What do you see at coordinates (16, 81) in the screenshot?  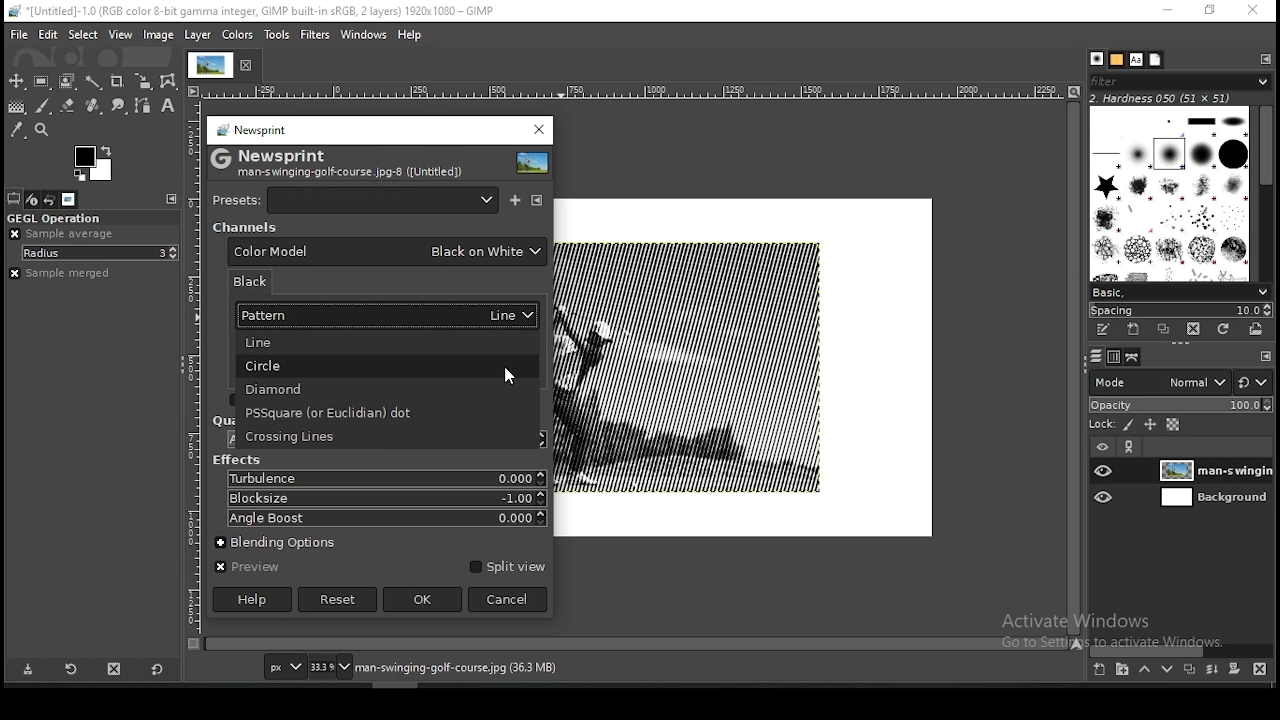 I see `move tool` at bounding box center [16, 81].